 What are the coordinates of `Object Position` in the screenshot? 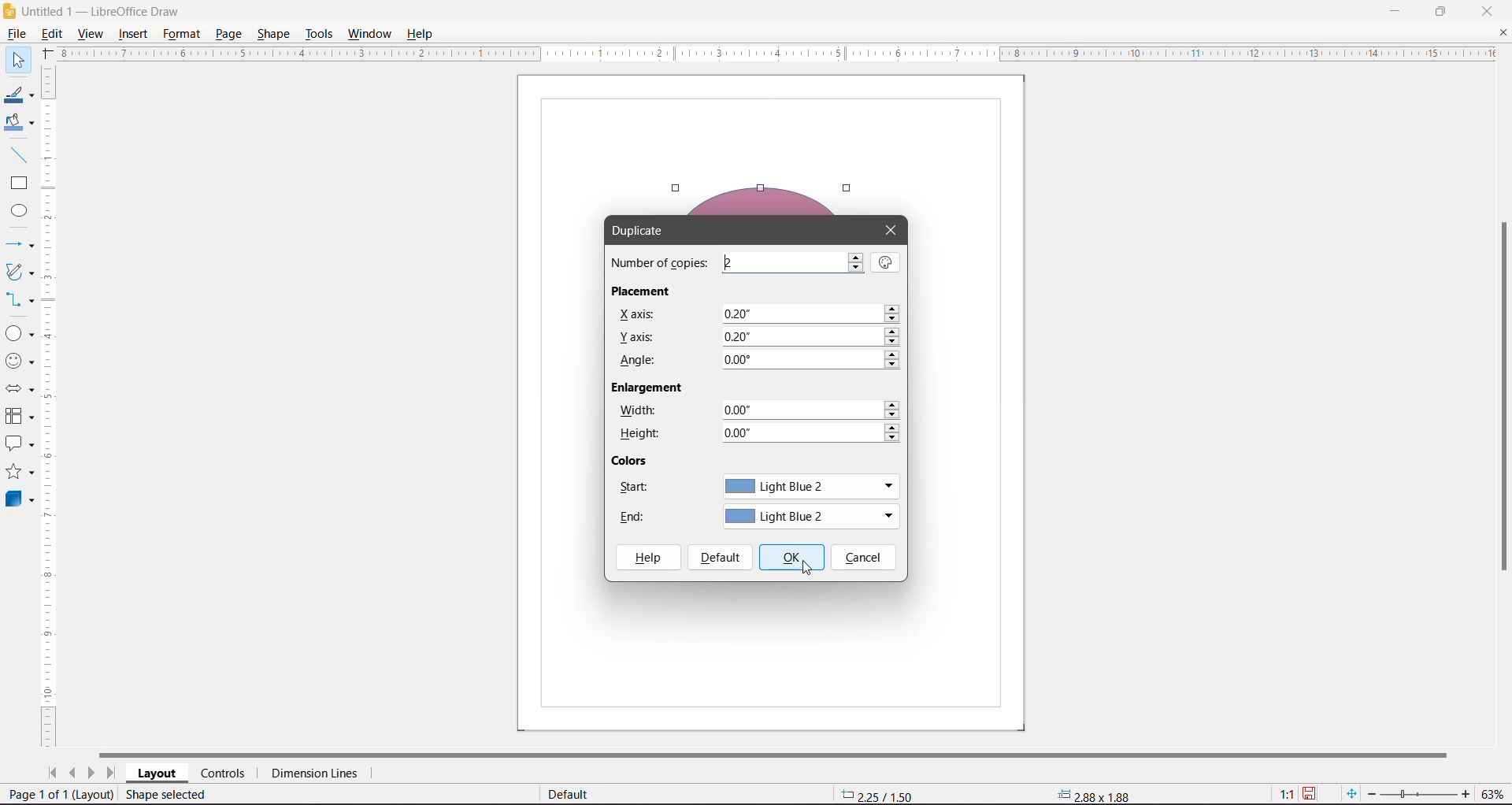 It's located at (877, 794).